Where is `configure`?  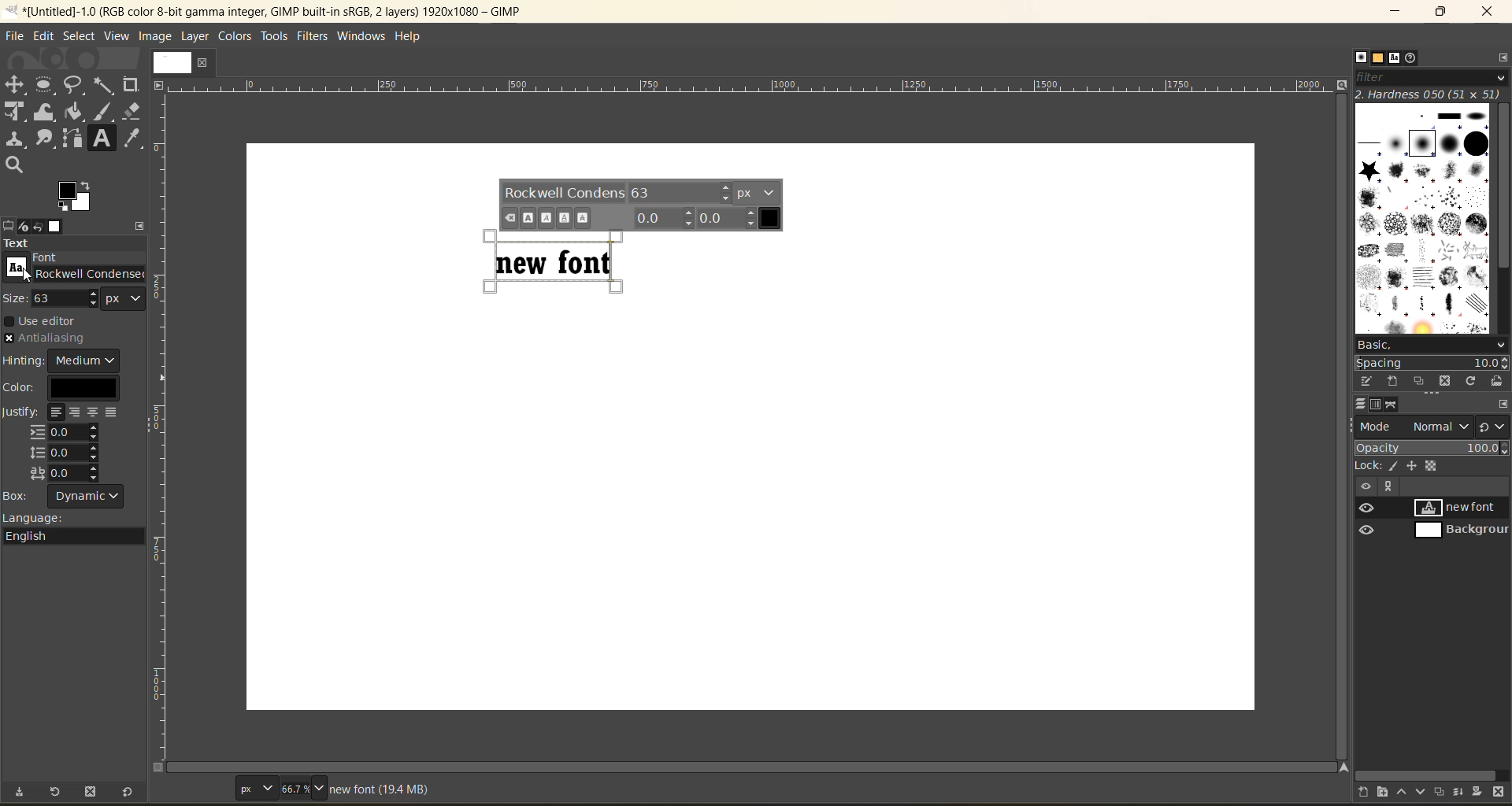 configure is located at coordinates (1502, 57).